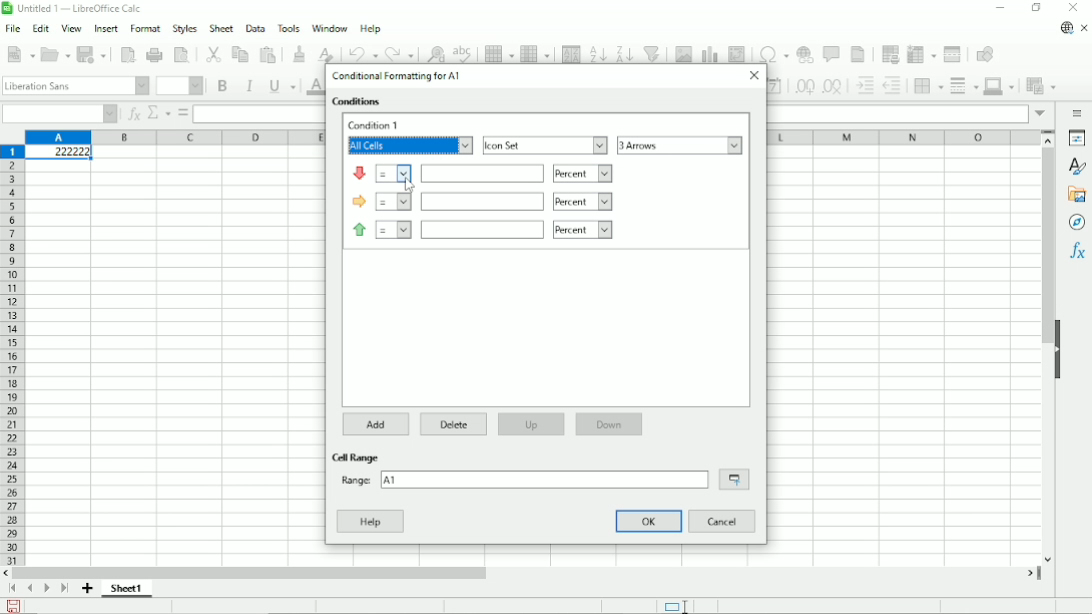 This screenshot has width=1092, height=614. What do you see at coordinates (1065, 27) in the screenshot?
I see `Update available` at bounding box center [1065, 27].